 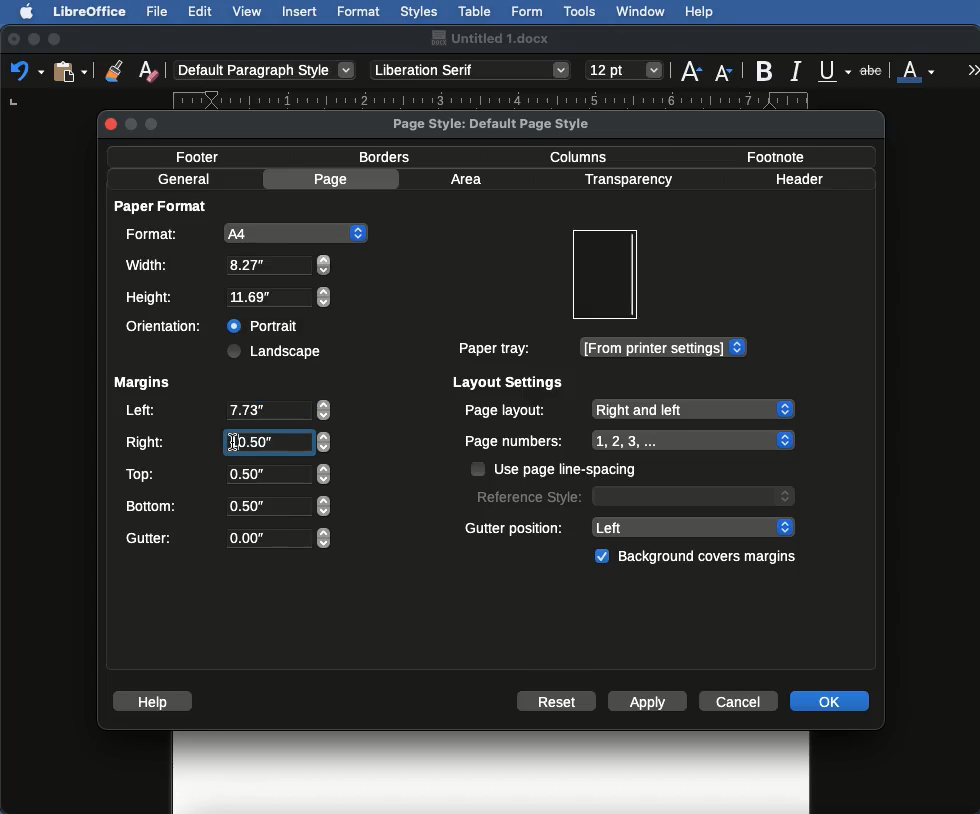 I want to click on Italics, so click(x=799, y=69).